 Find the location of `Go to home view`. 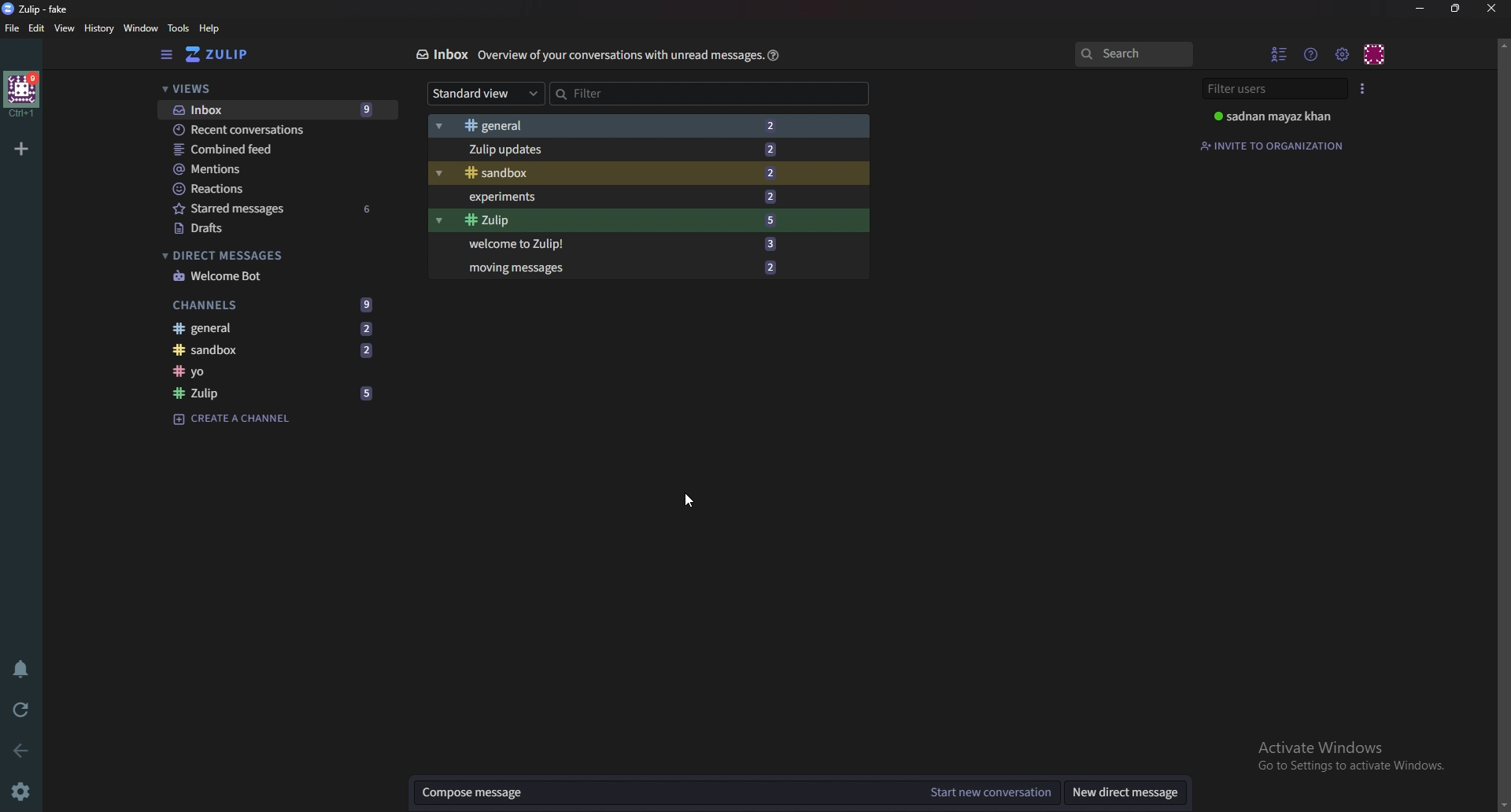

Go to home view is located at coordinates (222, 54).